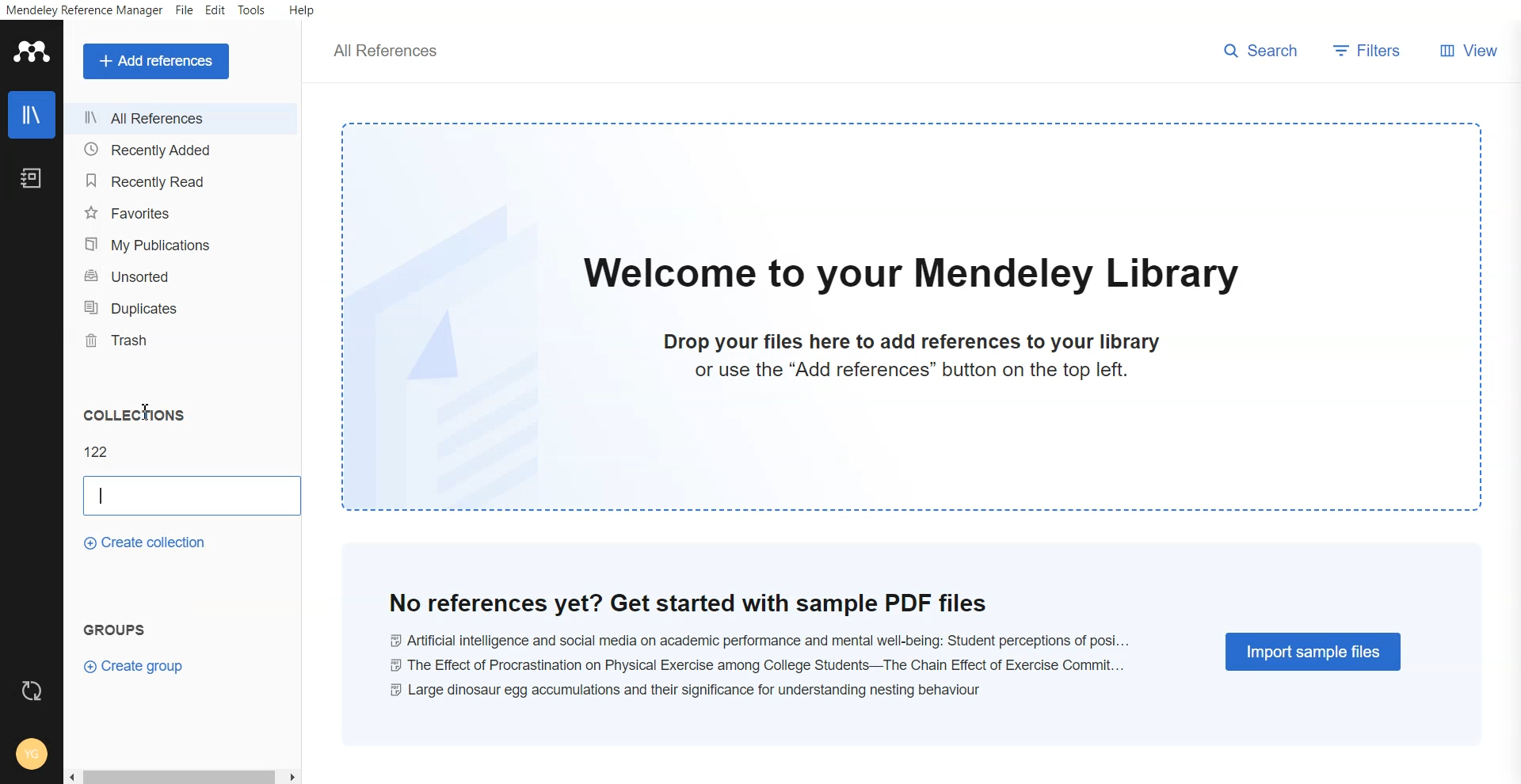 The image size is (1521, 784). Describe the element at coordinates (915, 342) in the screenshot. I see `drop your files here to add references to your library` at that location.